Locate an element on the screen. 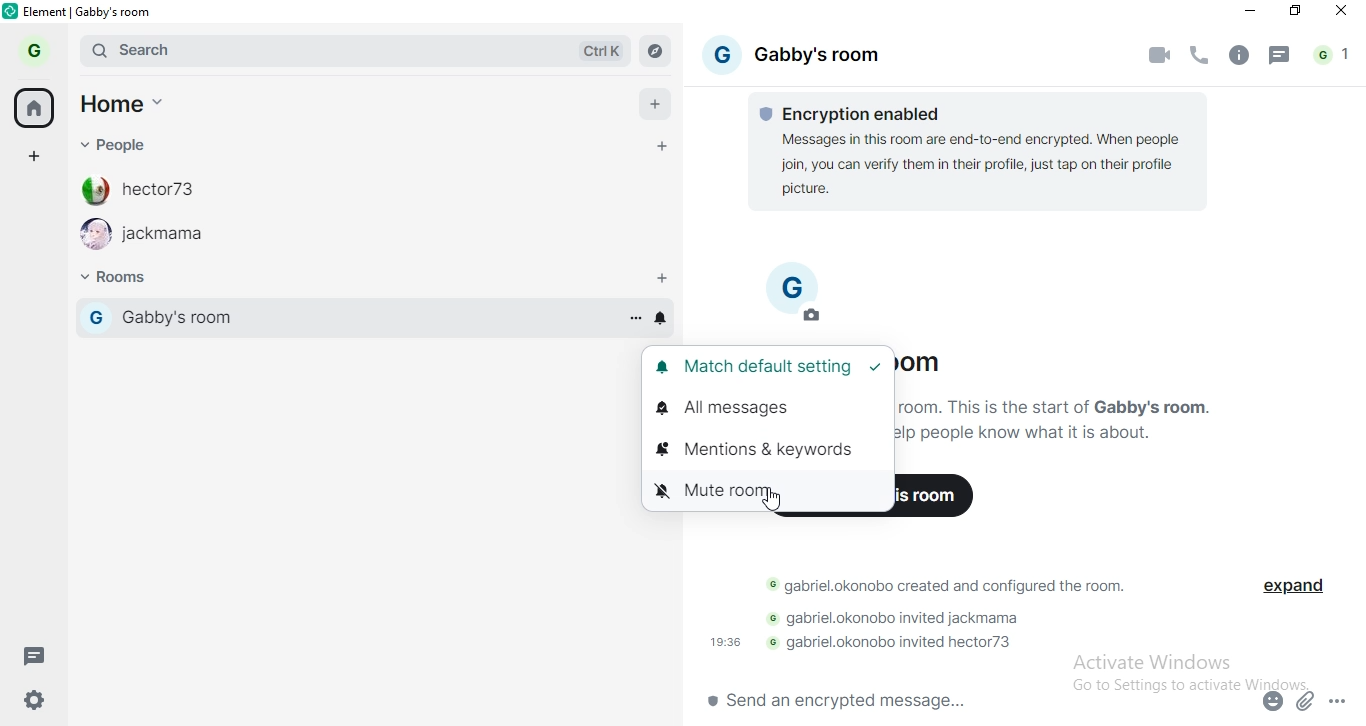 The height and width of the screenshot is (726, 1366). settings is located at coordinates (34, 701).